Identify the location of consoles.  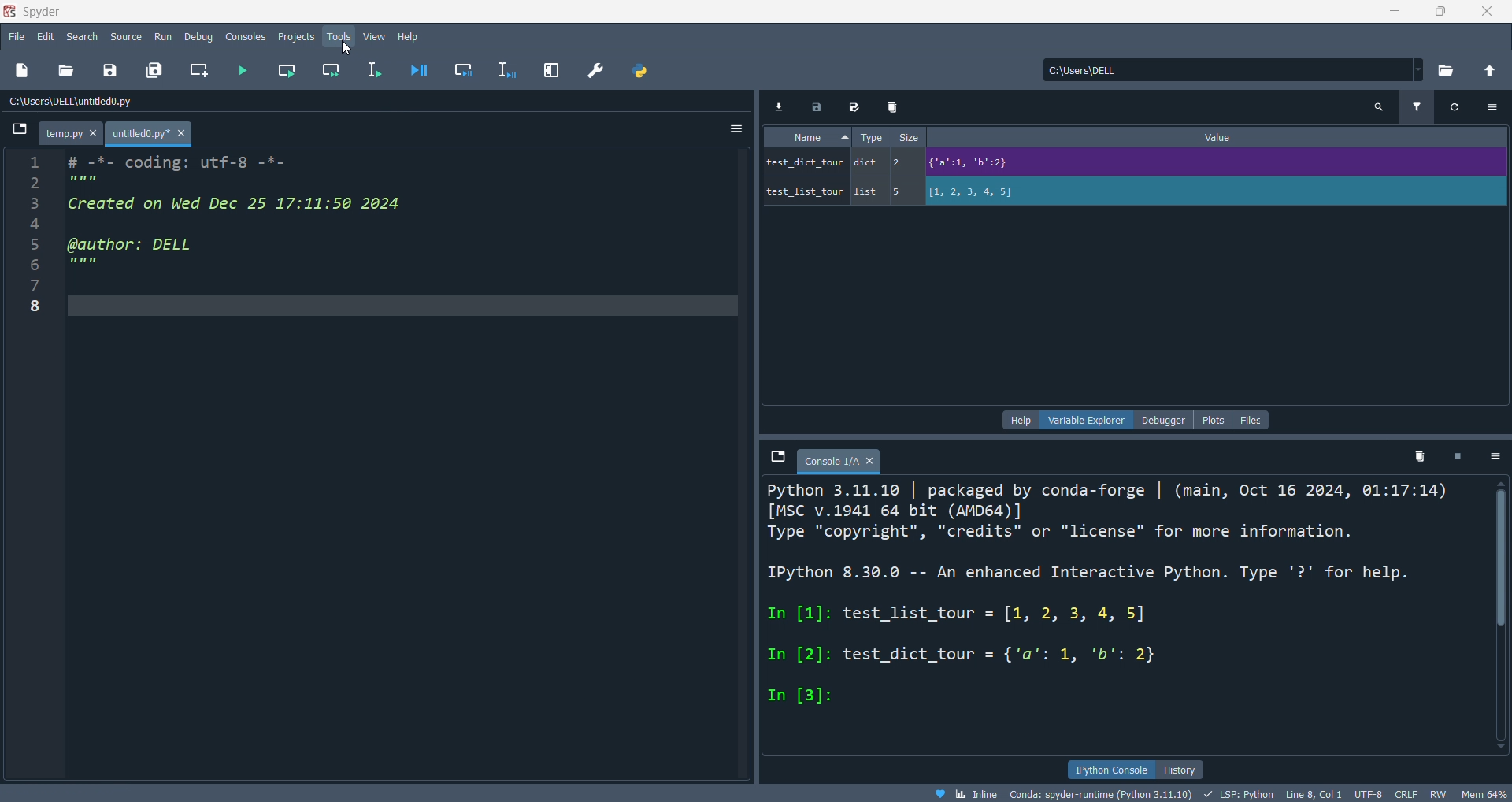
(247, 36).